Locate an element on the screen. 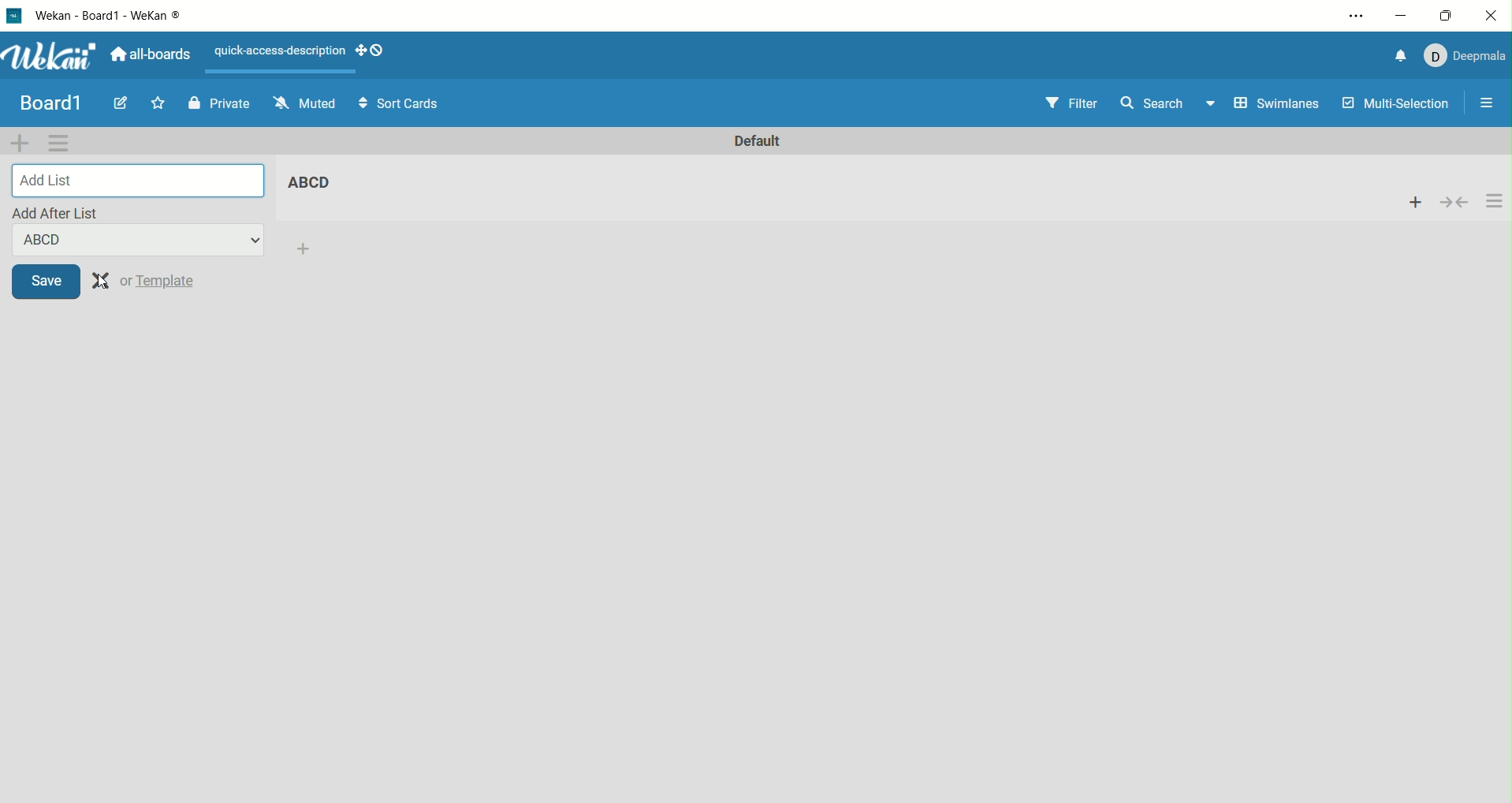 This screenshot has height=803, width=1512. filter is located at coordinates (1071, 103).